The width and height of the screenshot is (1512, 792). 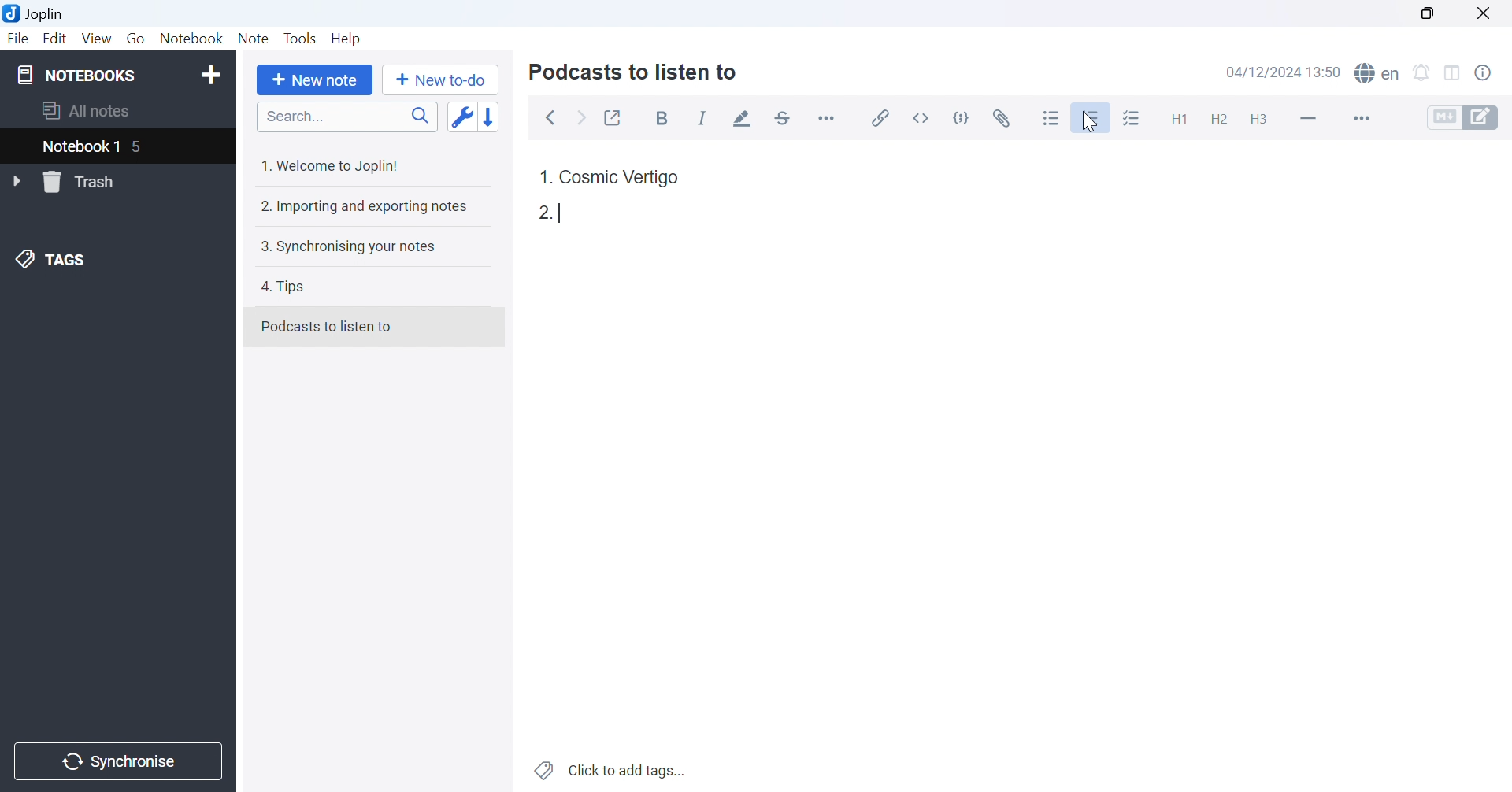 What do you see at coordinates (881, 114) in the screenshot?
I see `Insert / edit code` at bounding box center [881, 114].